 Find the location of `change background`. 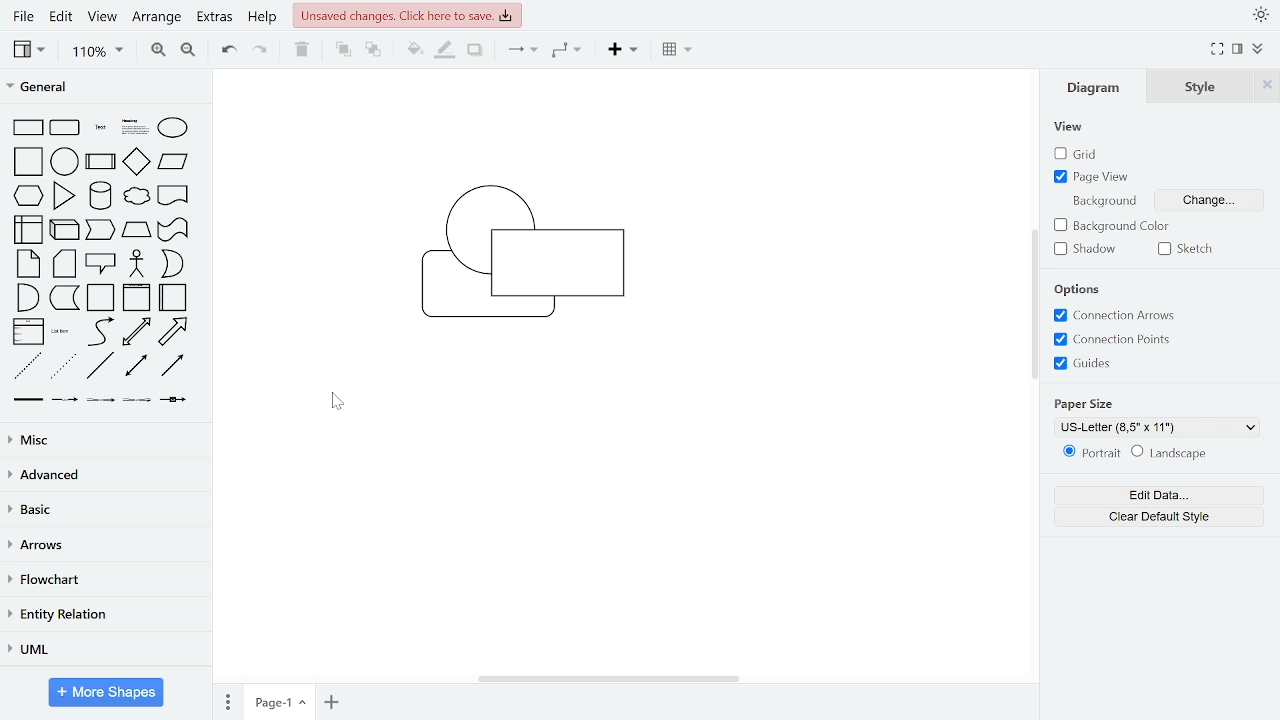

change background is located at coordinates (1208, 200).